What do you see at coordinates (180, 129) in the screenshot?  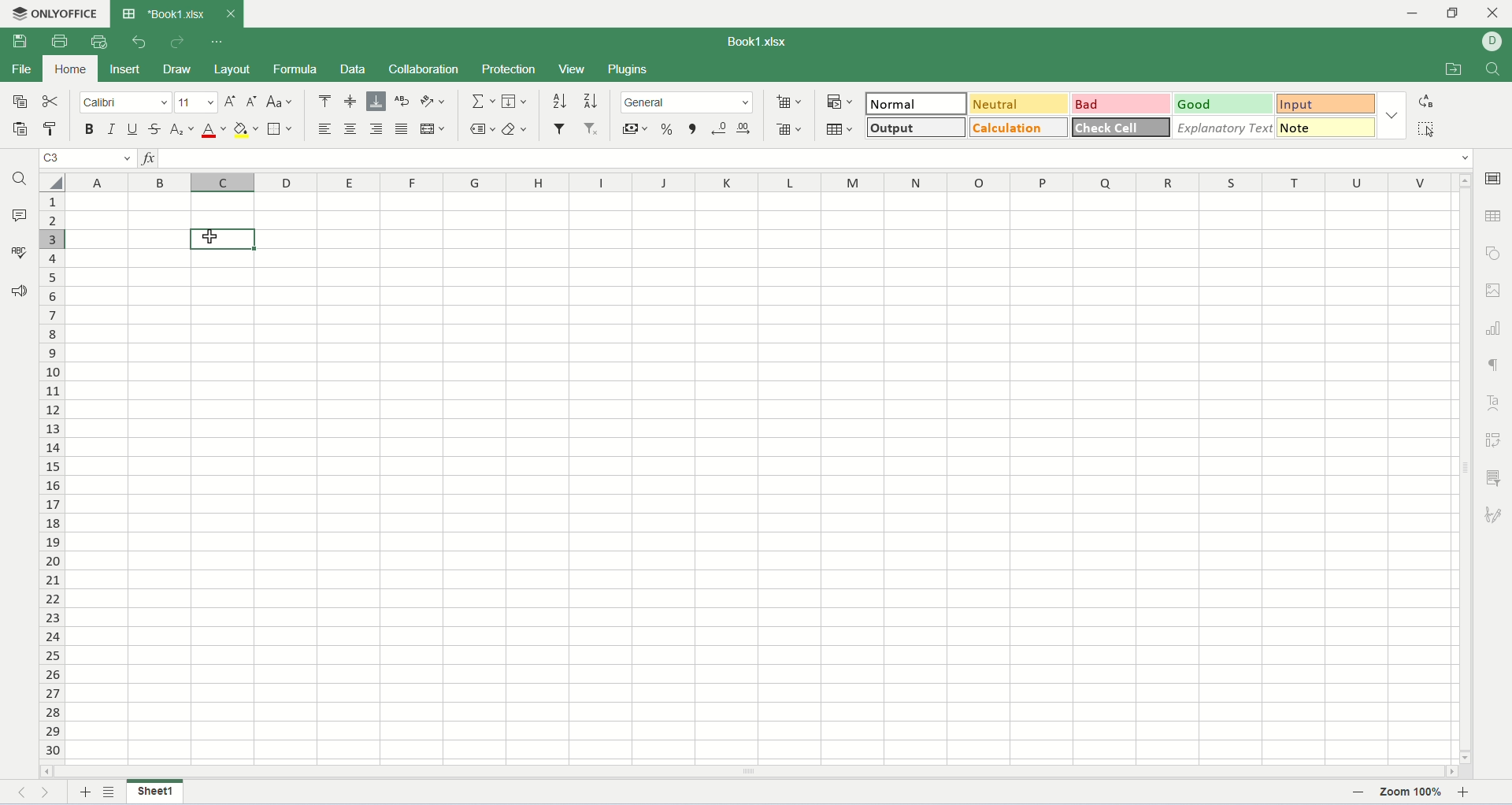 I see `subscript/superscript` at bounding box center [180, 129].